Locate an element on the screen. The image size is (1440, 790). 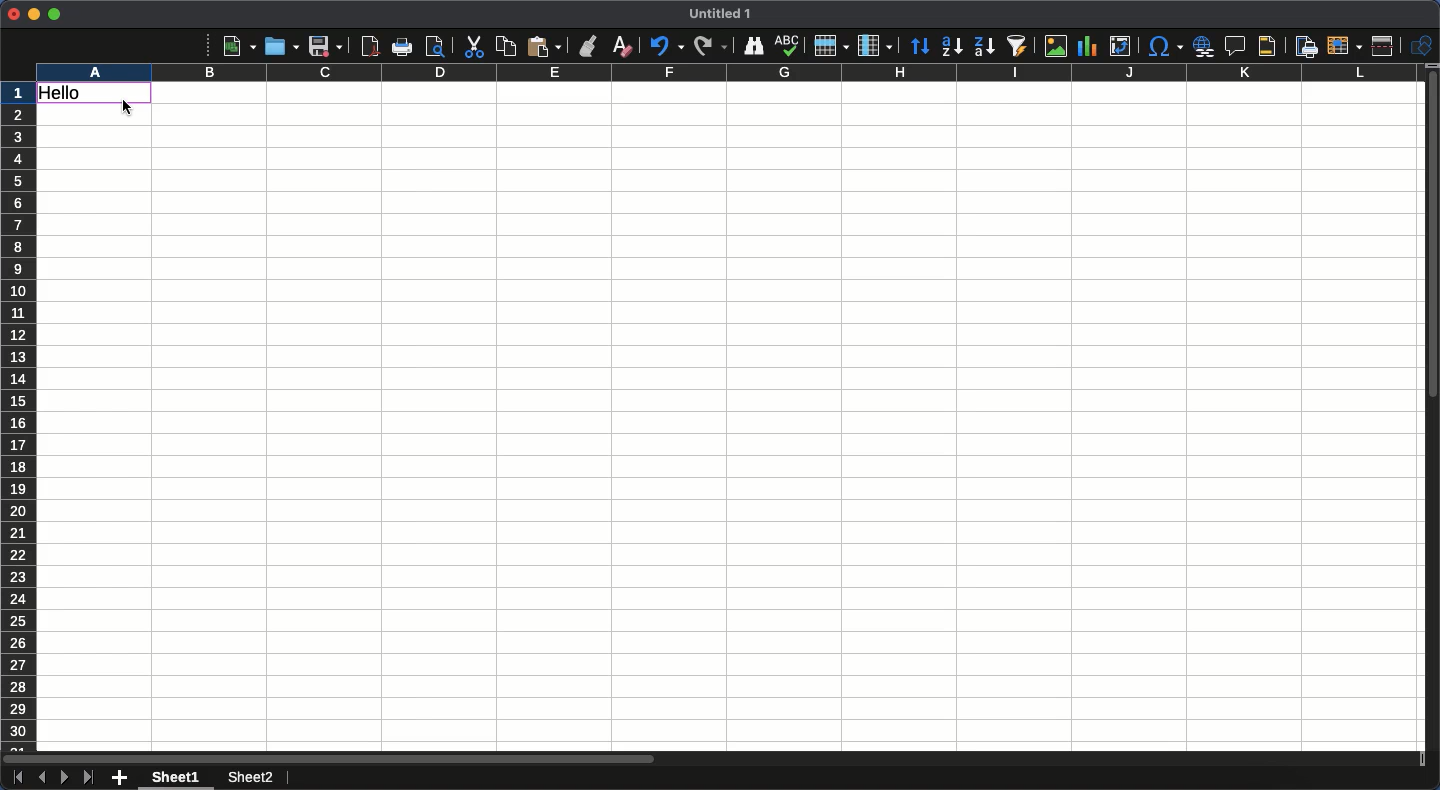
Print preview is located at coordinates (435, 46).